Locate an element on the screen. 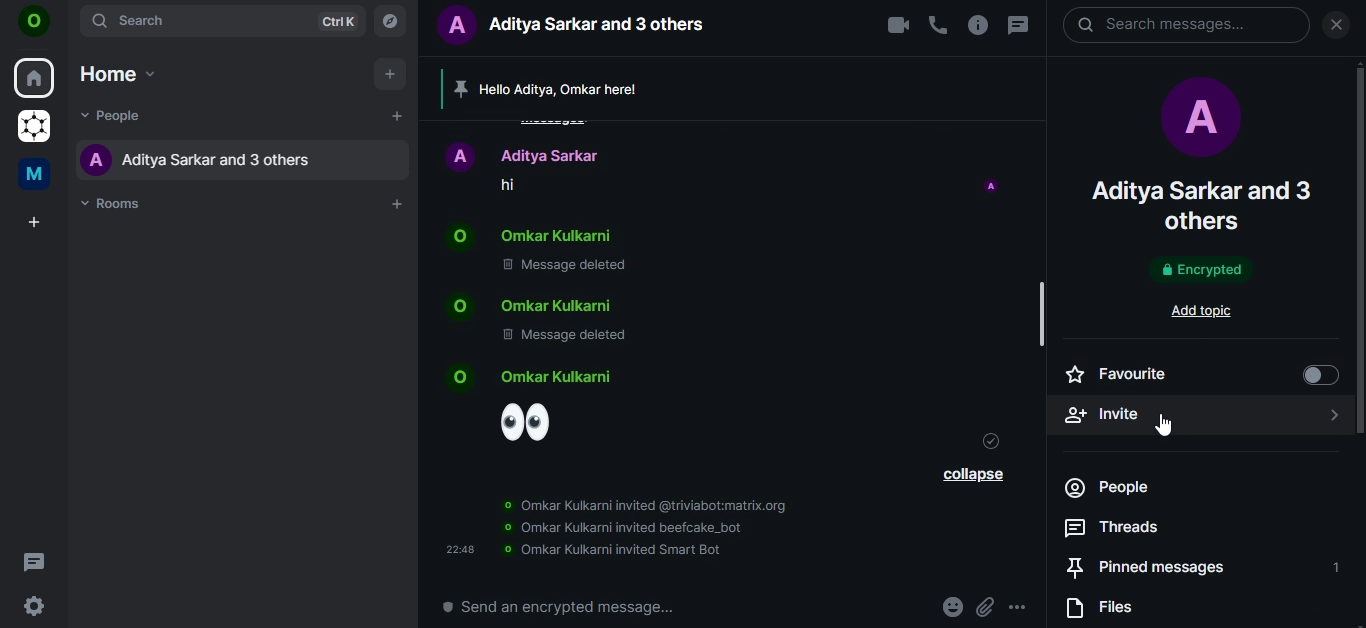  grapheneOS  is located at coordinates (32, 128).